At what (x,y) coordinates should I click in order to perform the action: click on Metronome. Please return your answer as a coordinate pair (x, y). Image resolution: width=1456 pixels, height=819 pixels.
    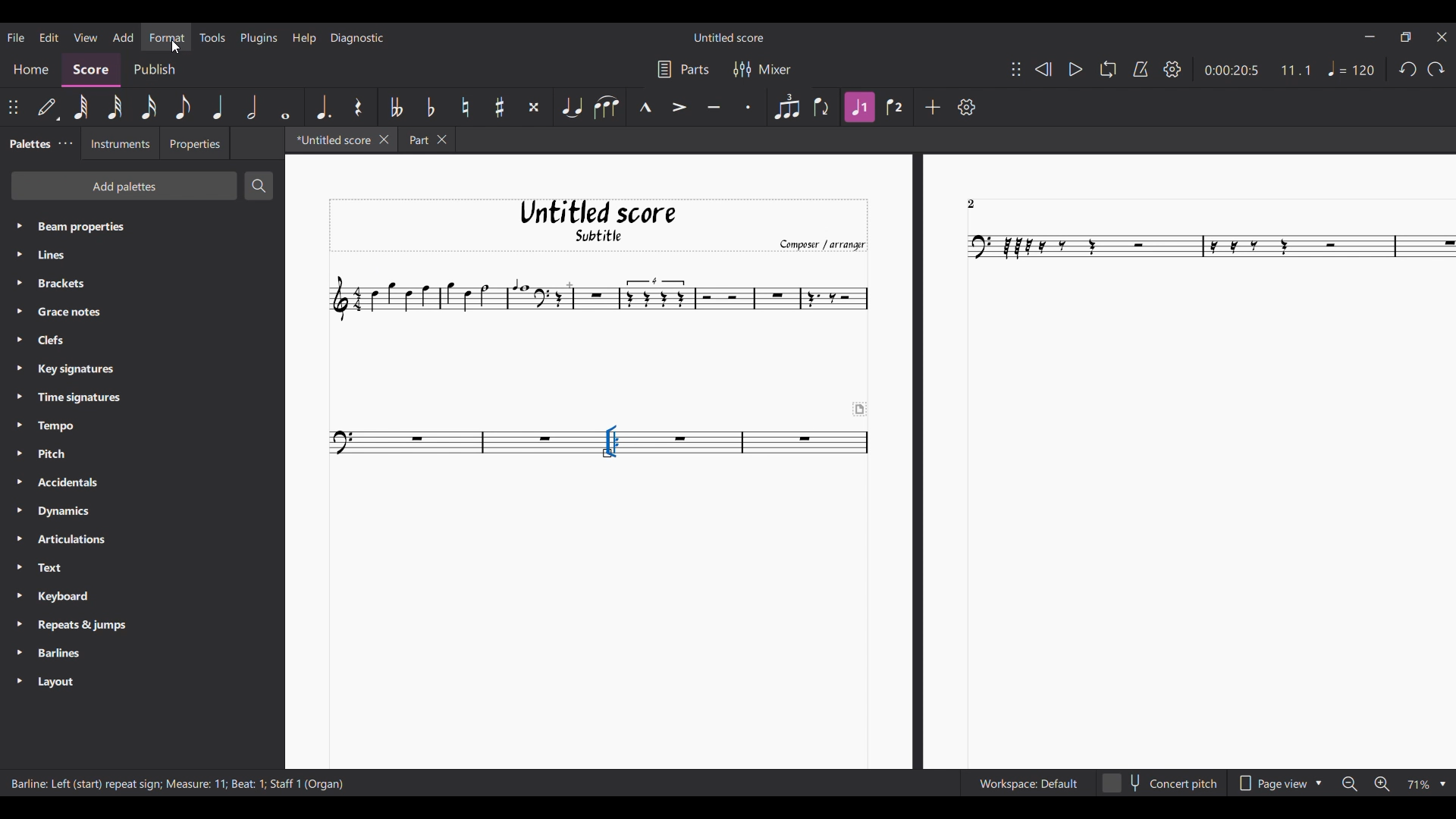
    Looking at the image, I should click on (1141, 69).